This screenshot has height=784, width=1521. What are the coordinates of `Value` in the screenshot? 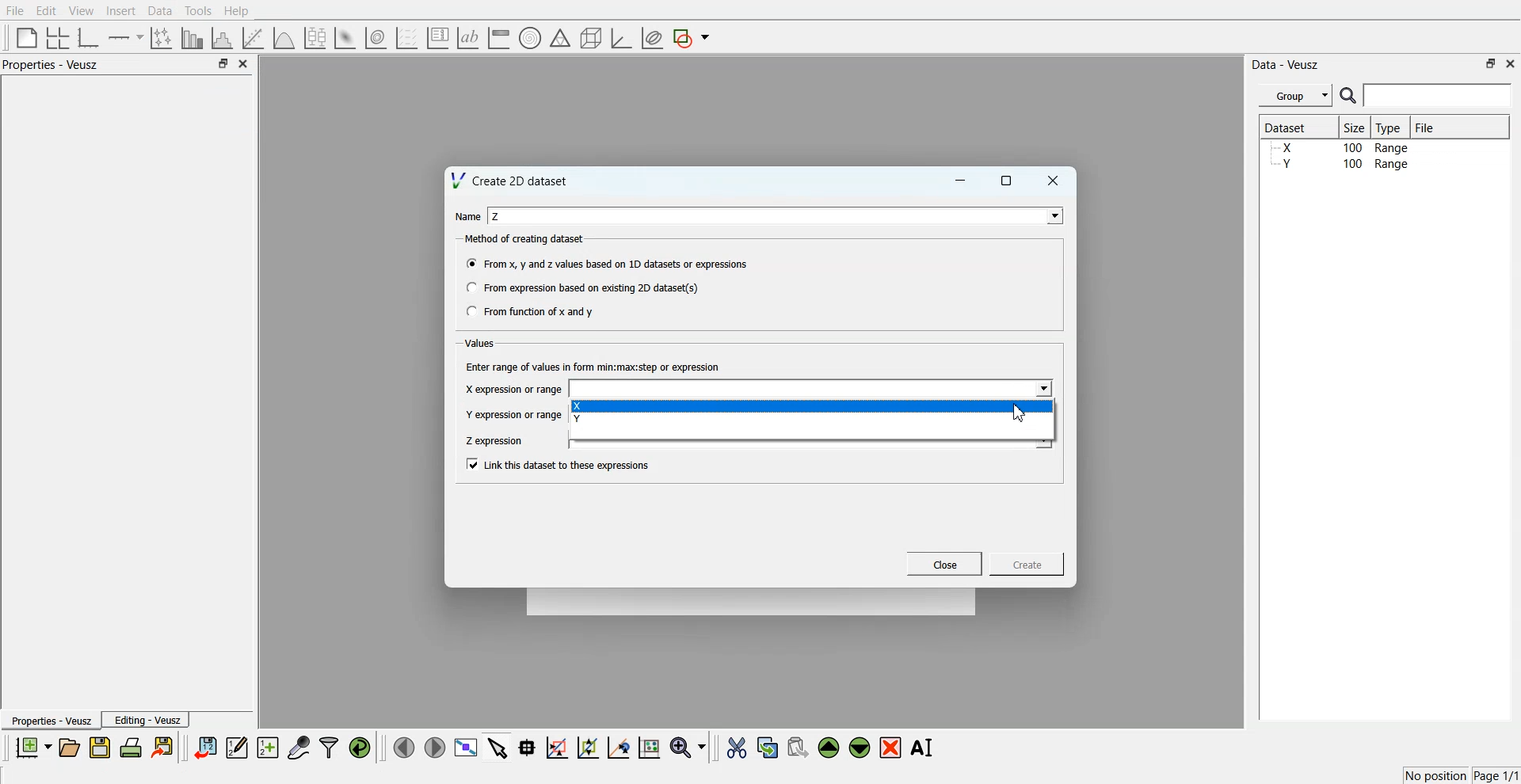 It's located at (482, 343).